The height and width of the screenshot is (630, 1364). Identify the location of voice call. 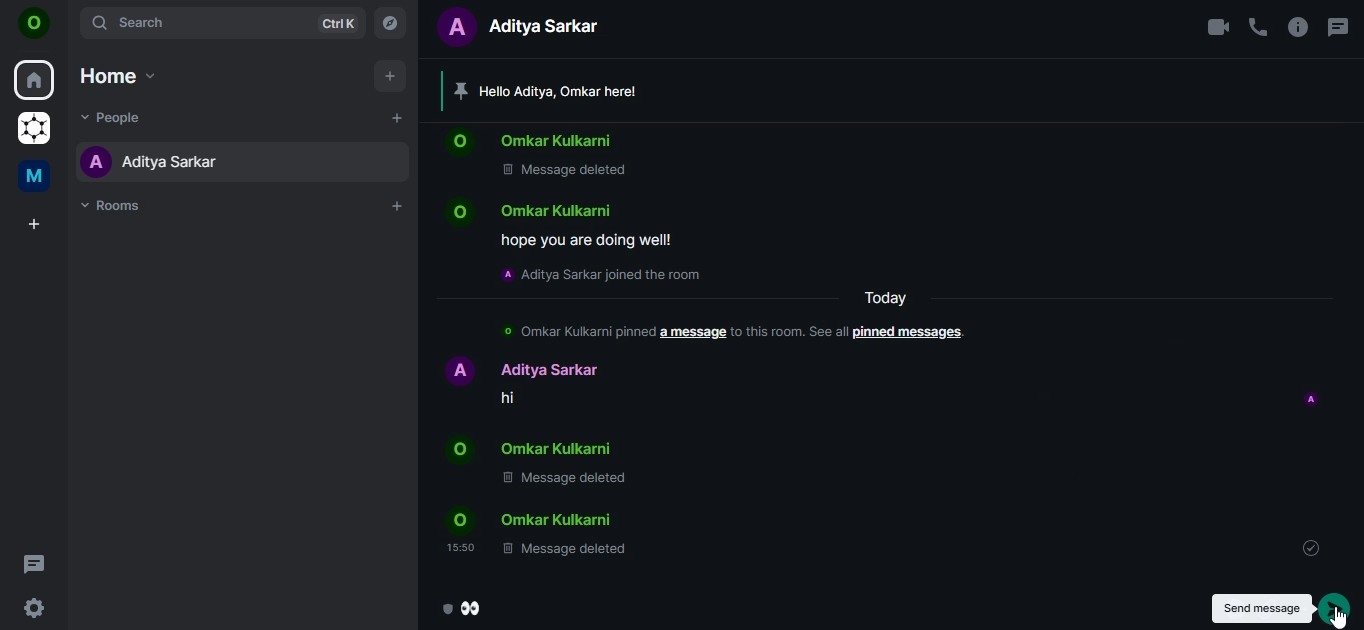
(1258, 26).